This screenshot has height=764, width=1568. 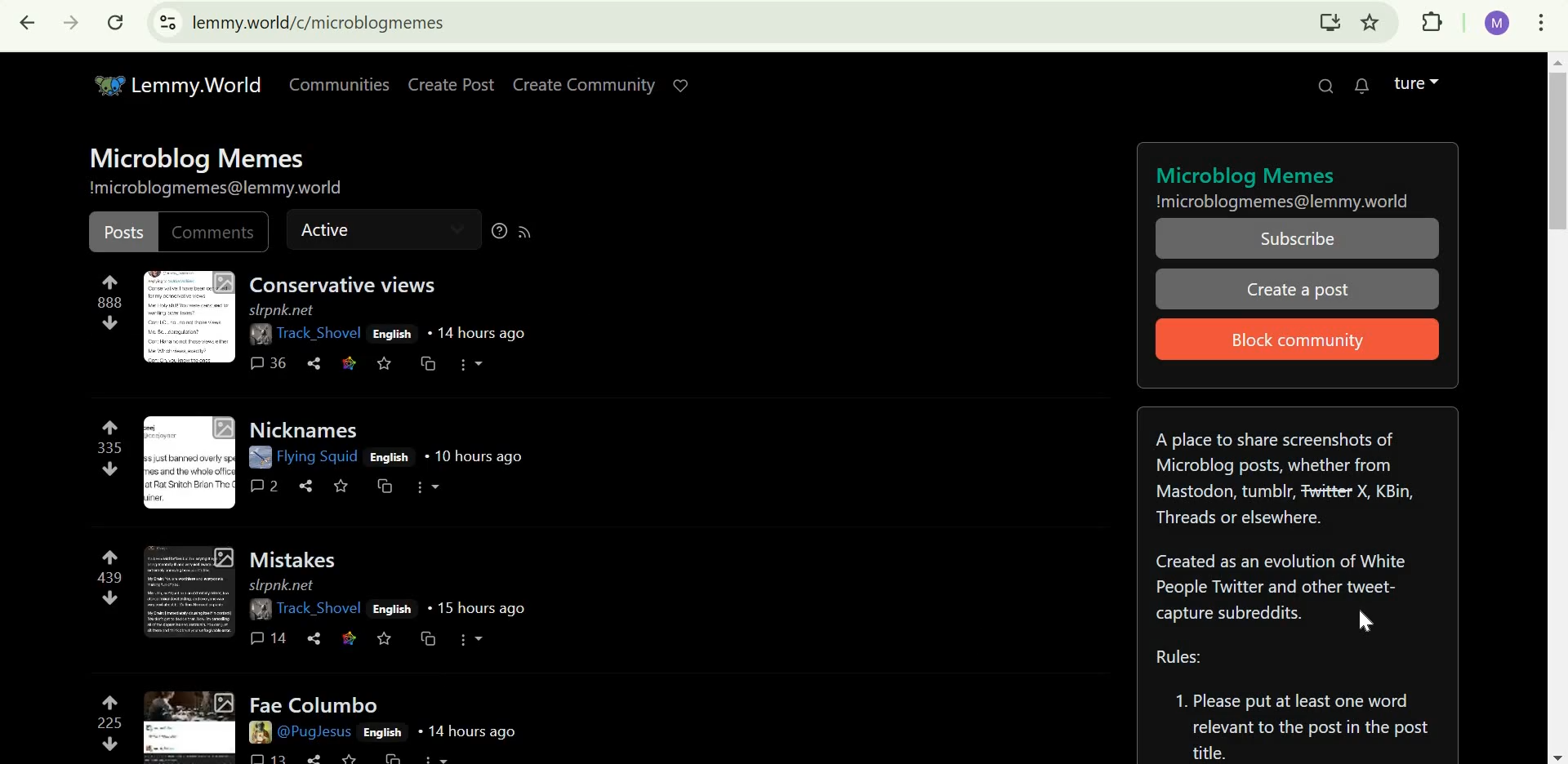 I want to click on user id, so click(x=1499, y=28).